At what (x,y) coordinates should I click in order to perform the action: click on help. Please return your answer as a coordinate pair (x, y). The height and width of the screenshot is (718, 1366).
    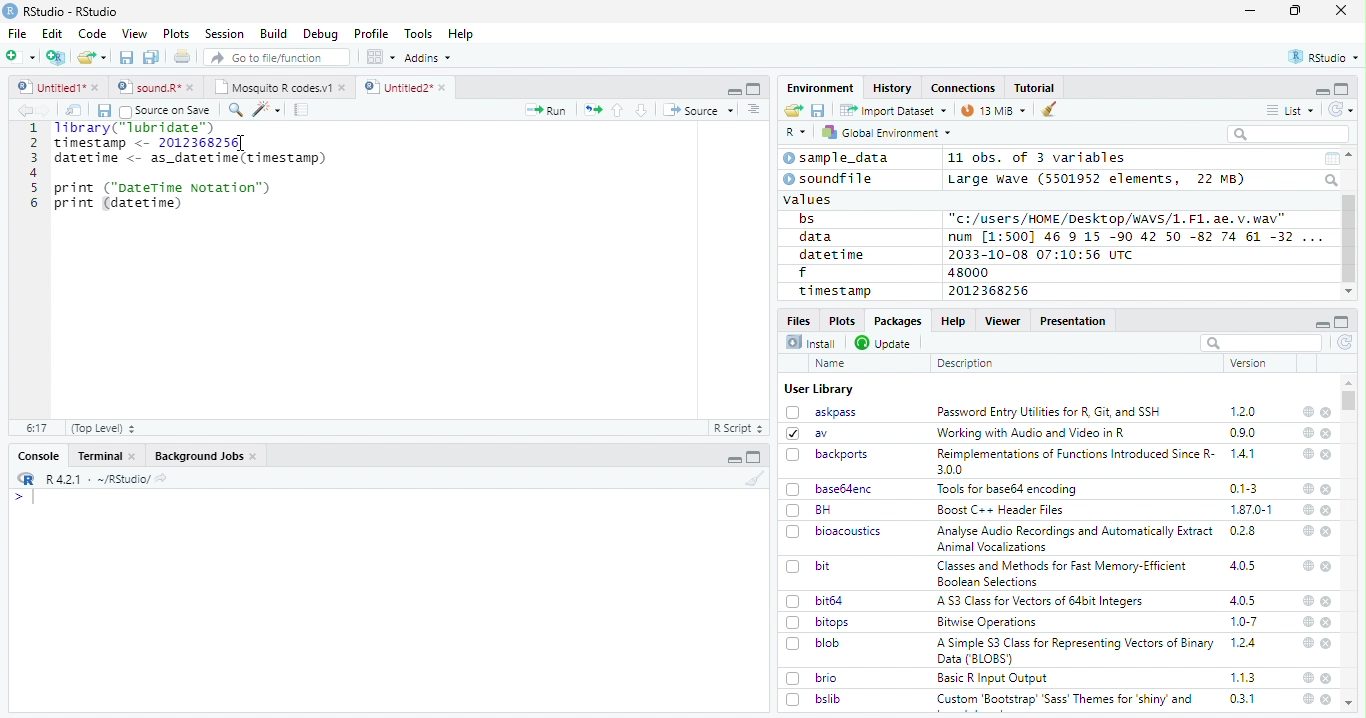
    Looking at the image, I should click on (1308, 677).